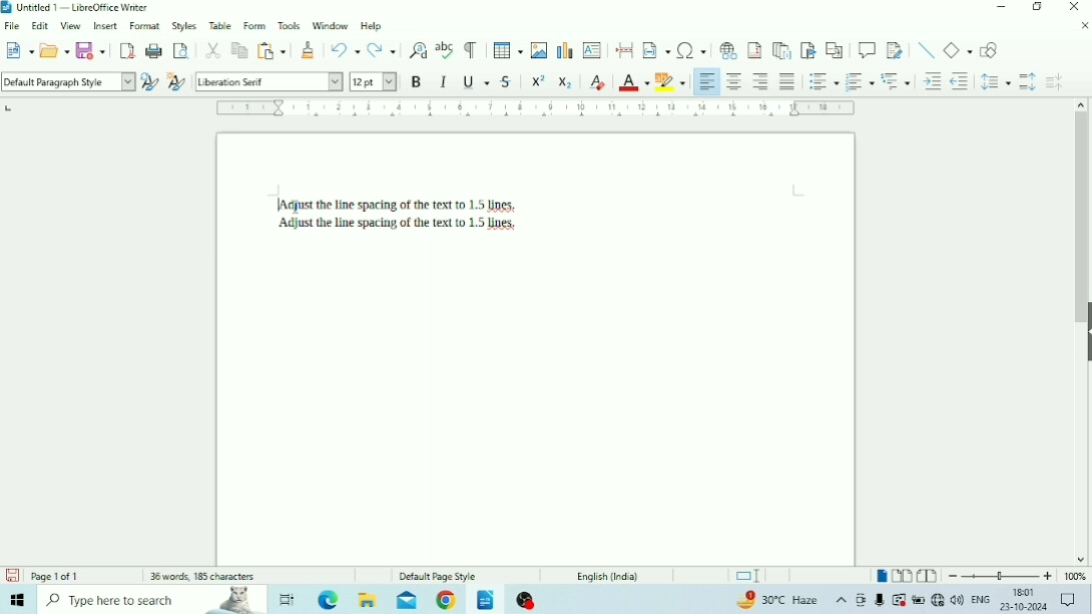  What do you see at coordinates (822, 79) in the screenshot?
I see `Toggle Unordered List` at bounding box center [822, 79].